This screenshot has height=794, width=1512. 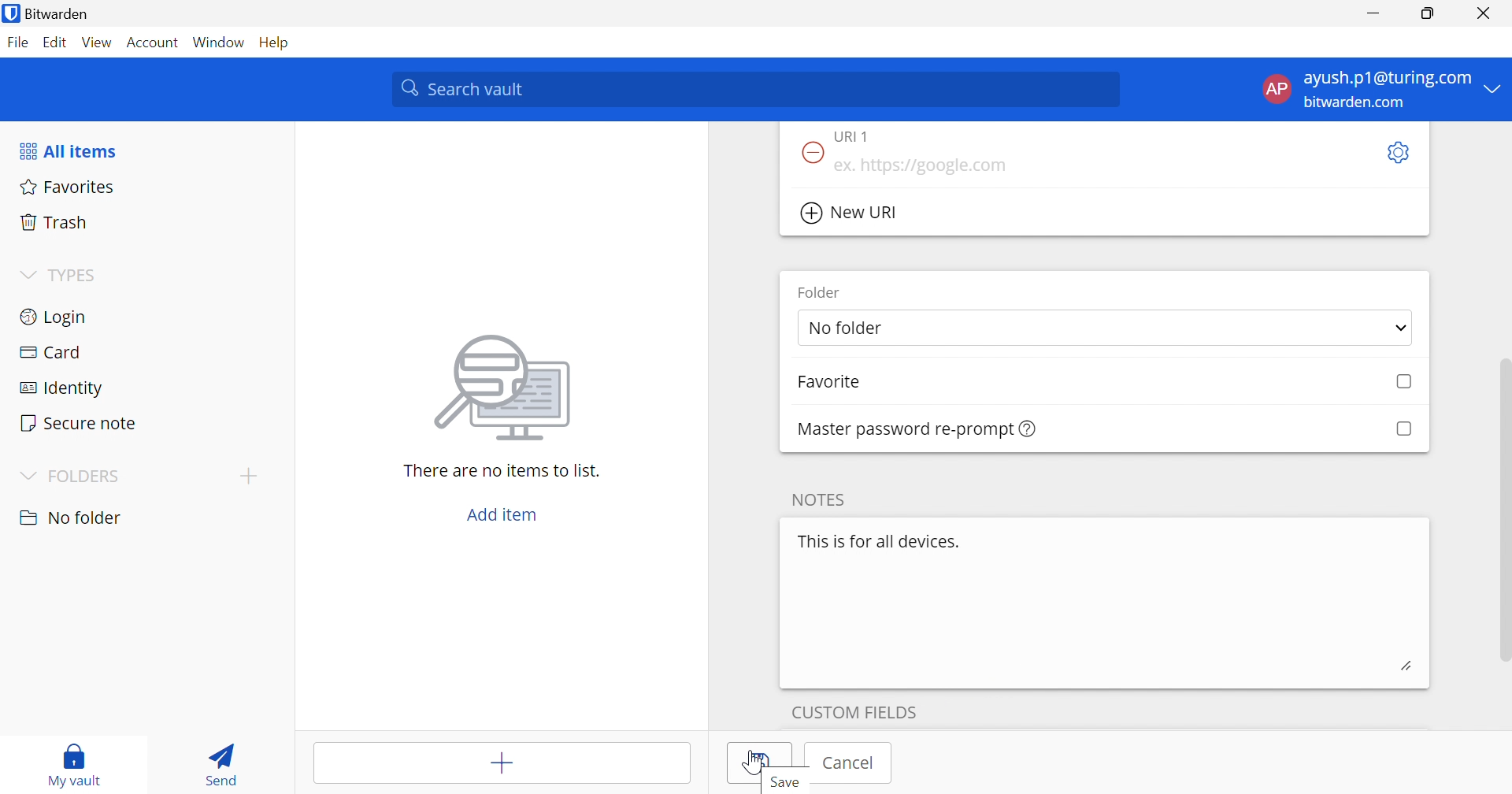 What do you see at coordinates (503, 469) in the screenshot?
I see `There are no items to list.` at bounding box center [503, 469].